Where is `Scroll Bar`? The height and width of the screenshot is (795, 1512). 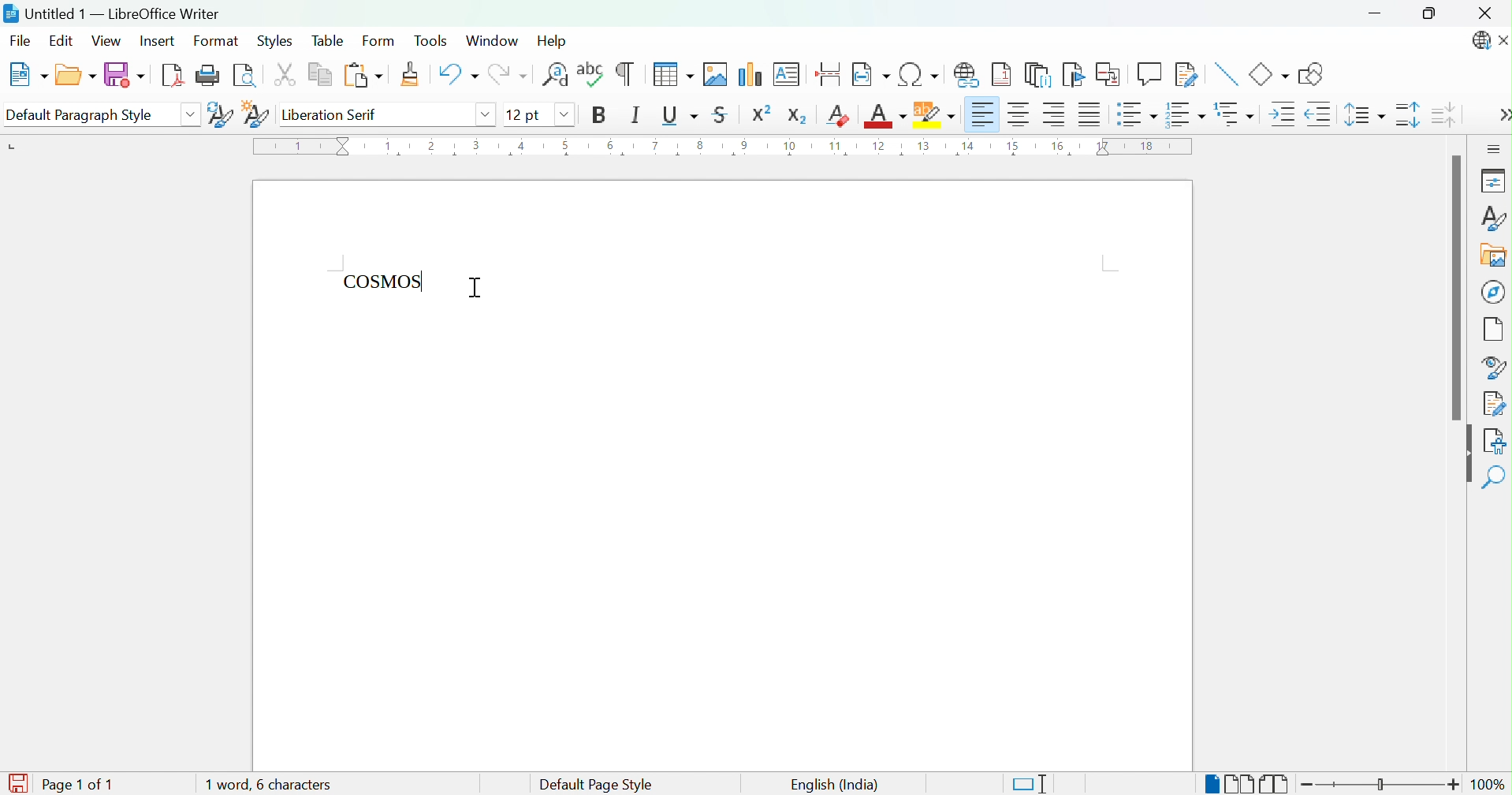
Scroll Bar is located at coordinates (1454, 287).